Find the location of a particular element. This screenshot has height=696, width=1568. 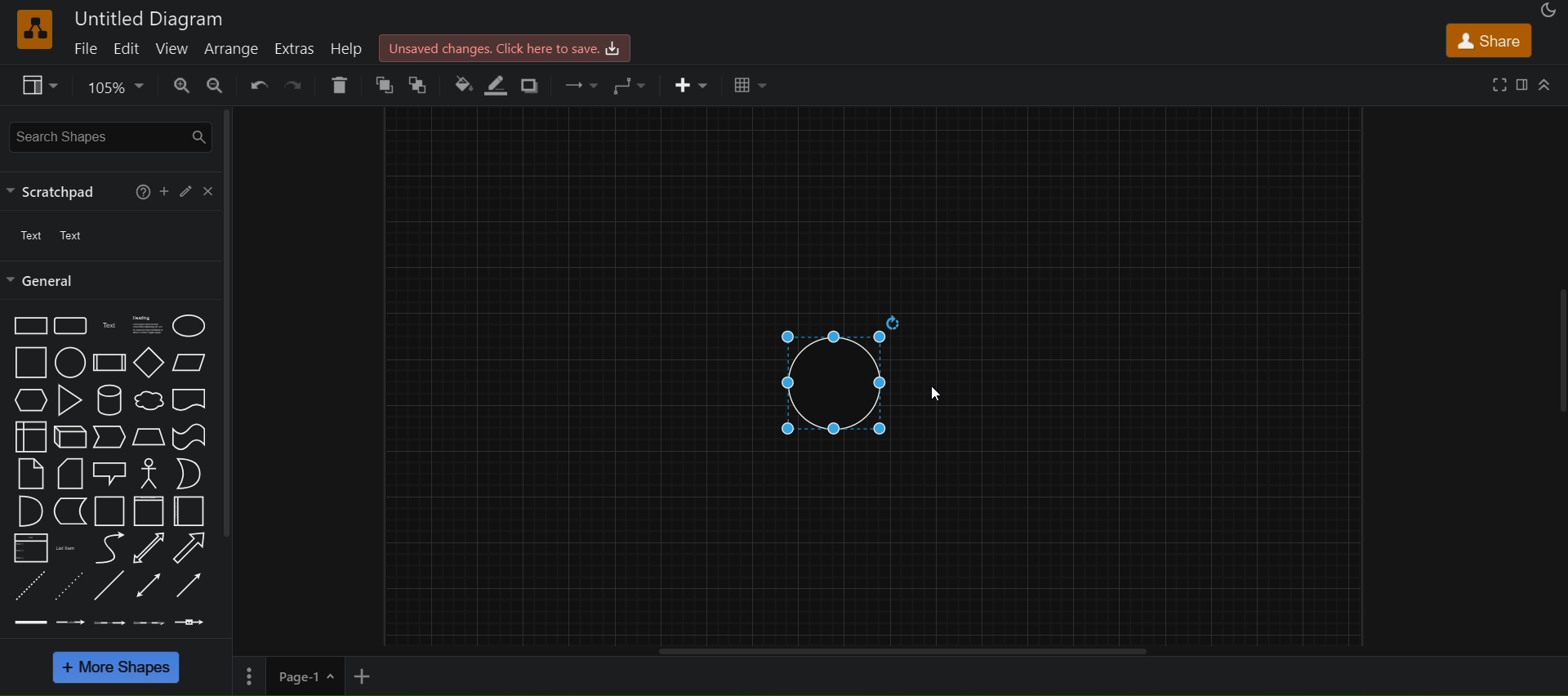

list item is located at coordinates (68, 548).